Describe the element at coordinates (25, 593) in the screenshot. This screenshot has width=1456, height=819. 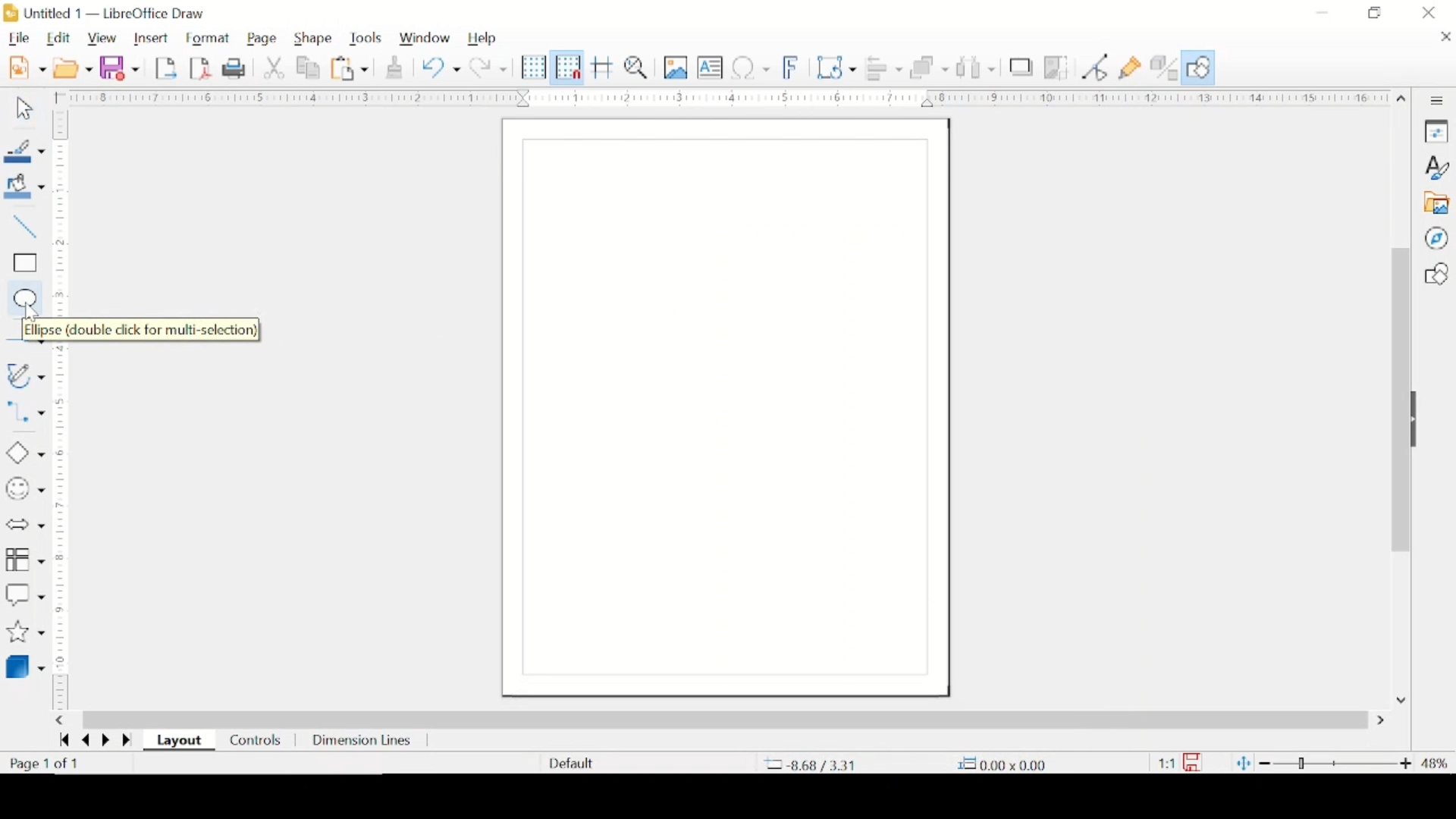
I see `callout shapes` at that location.